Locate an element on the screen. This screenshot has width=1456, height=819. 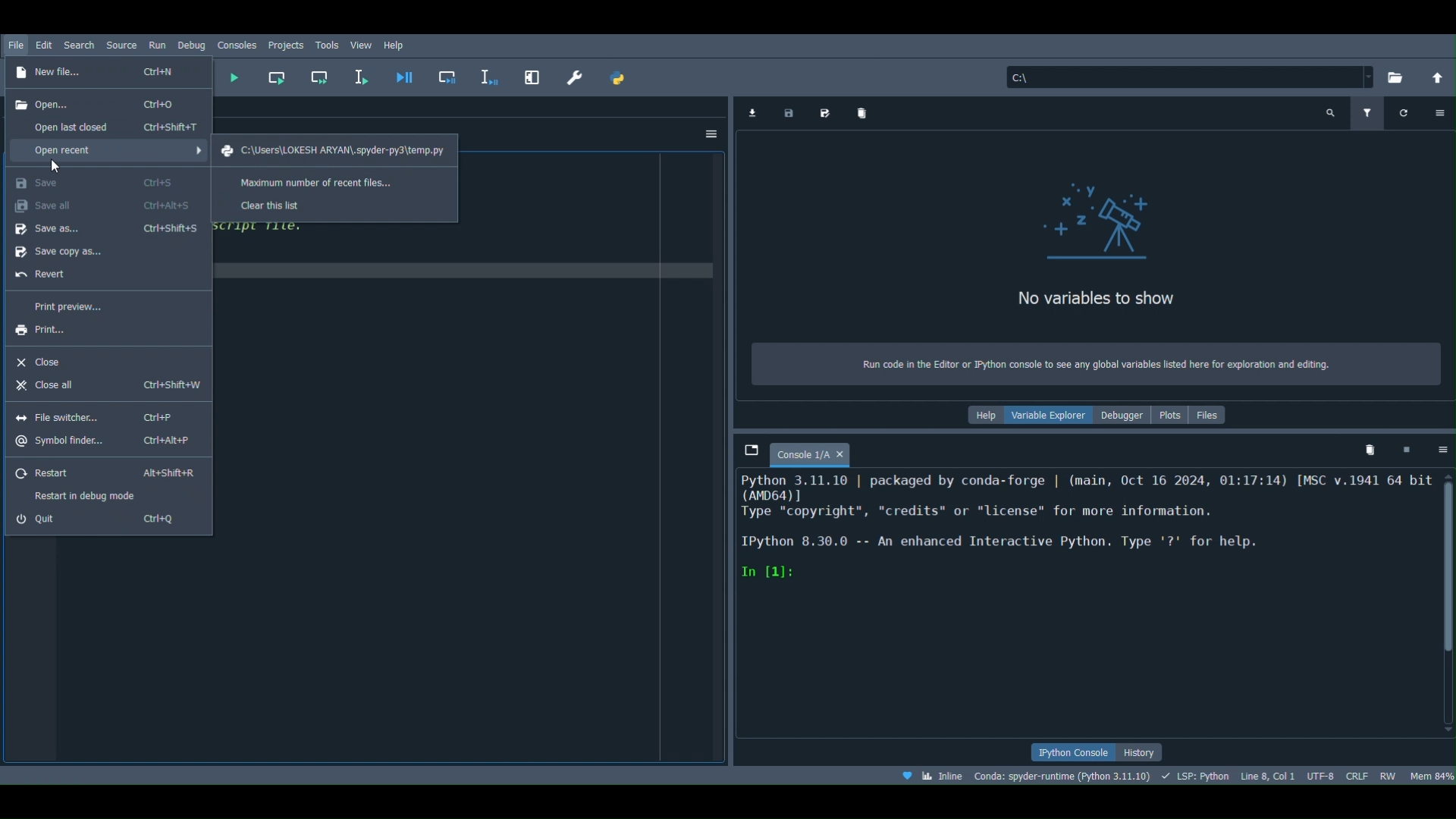
Scrollbar is located at coordinates (1448, 603).